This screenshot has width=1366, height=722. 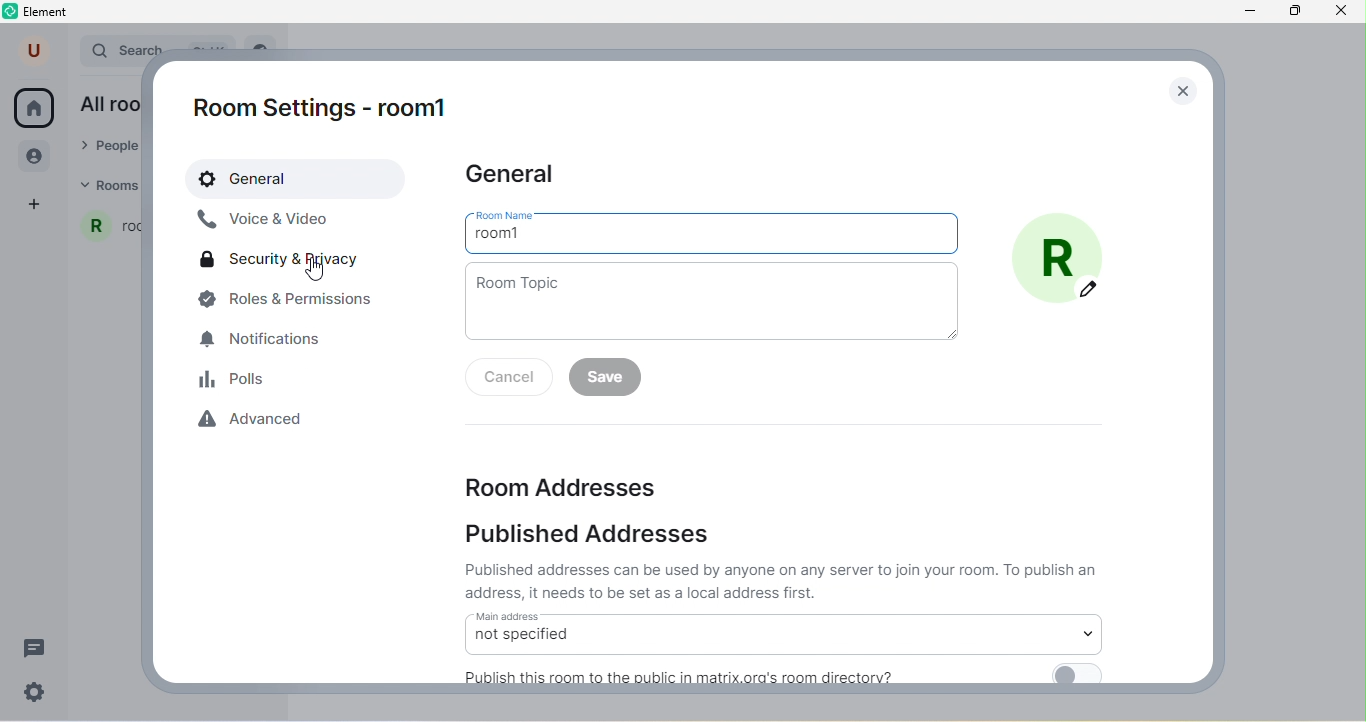 What do you see at coordinates (36, 205) in the screenshot?
I see `add space` at bounding box center [36, 205].